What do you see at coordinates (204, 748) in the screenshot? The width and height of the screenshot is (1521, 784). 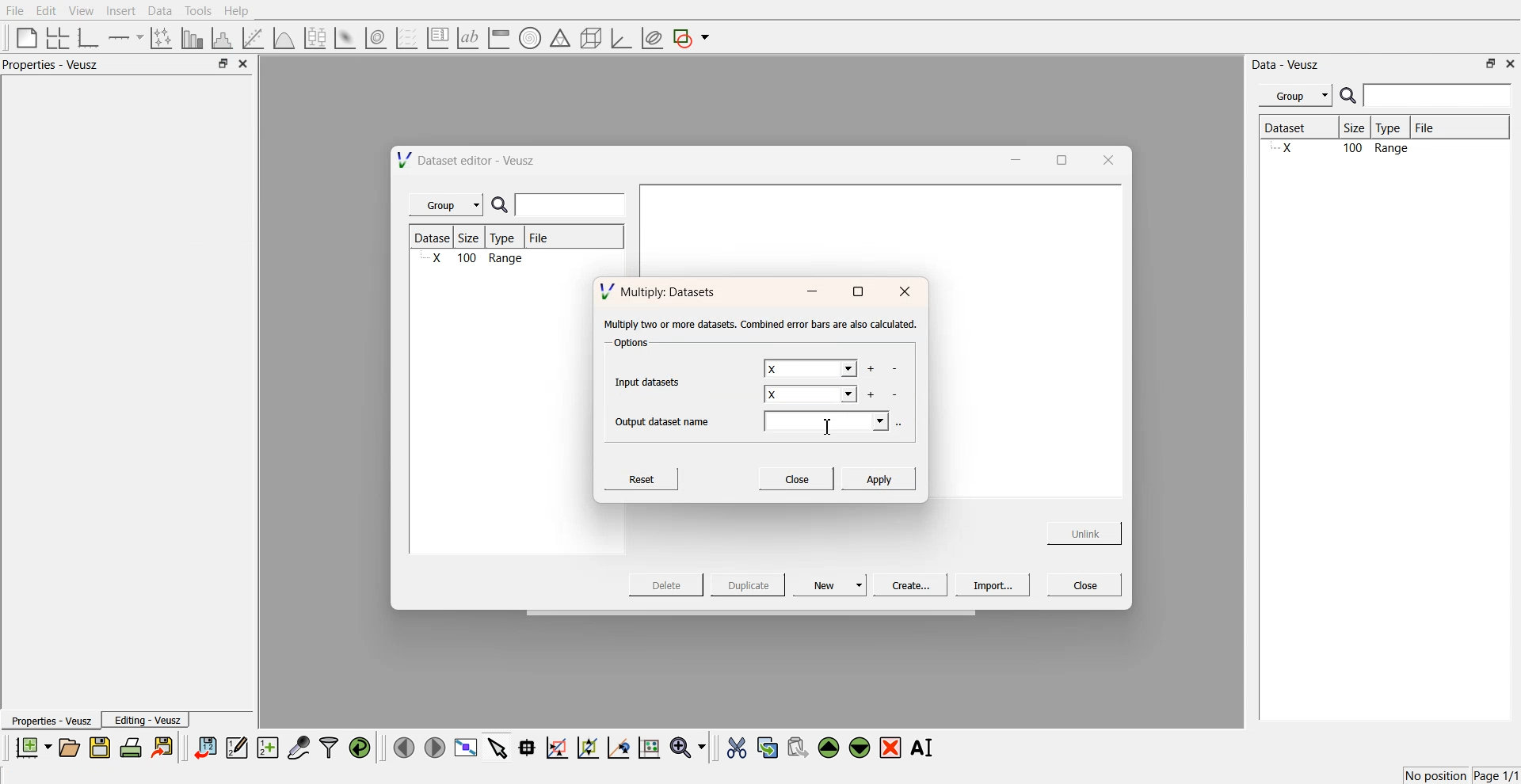 I see `import data sets` at bounding box center [204, 748].